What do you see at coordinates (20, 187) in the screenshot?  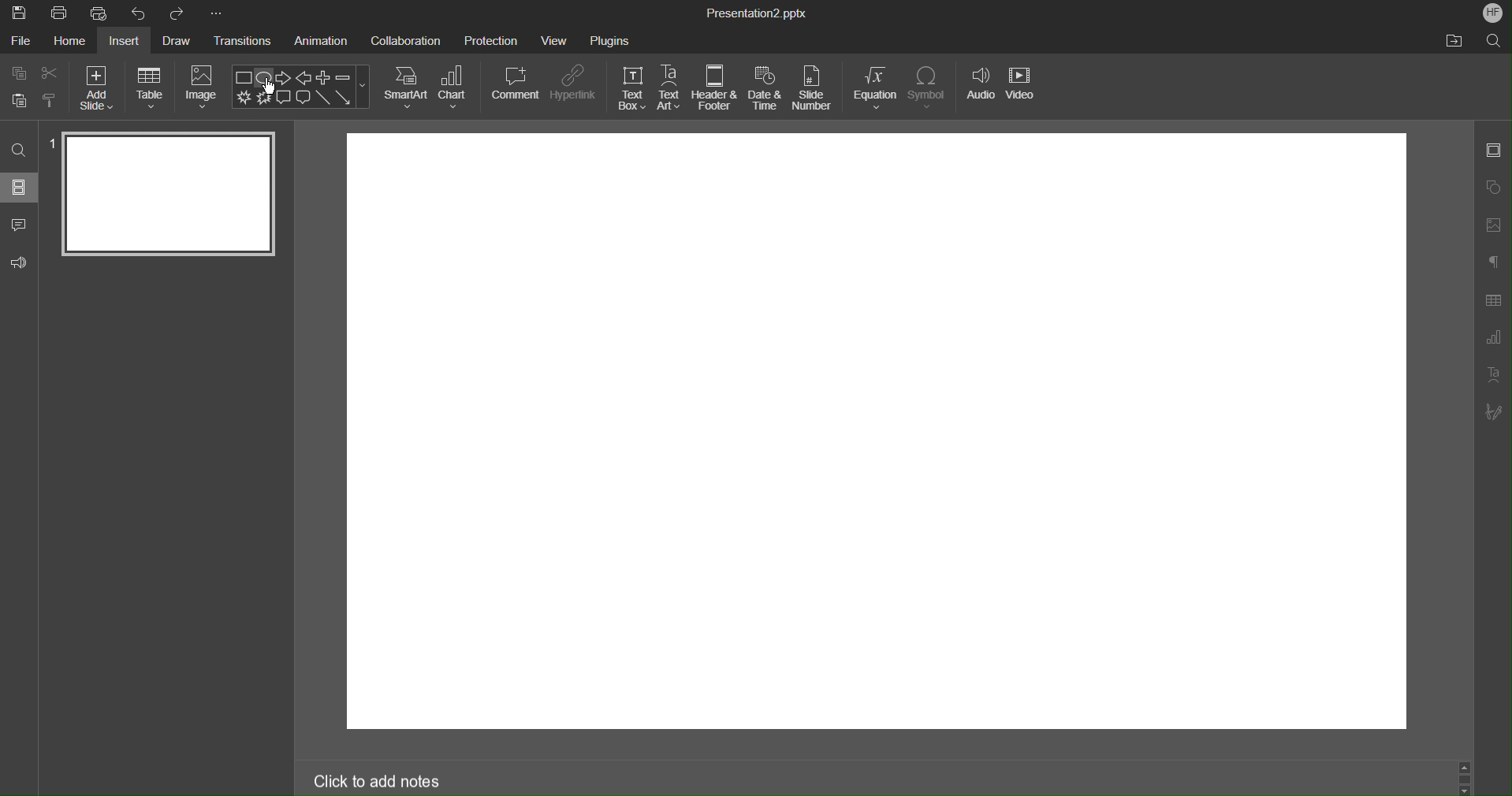 I see `Sildes` at bounding box center [20, 187].